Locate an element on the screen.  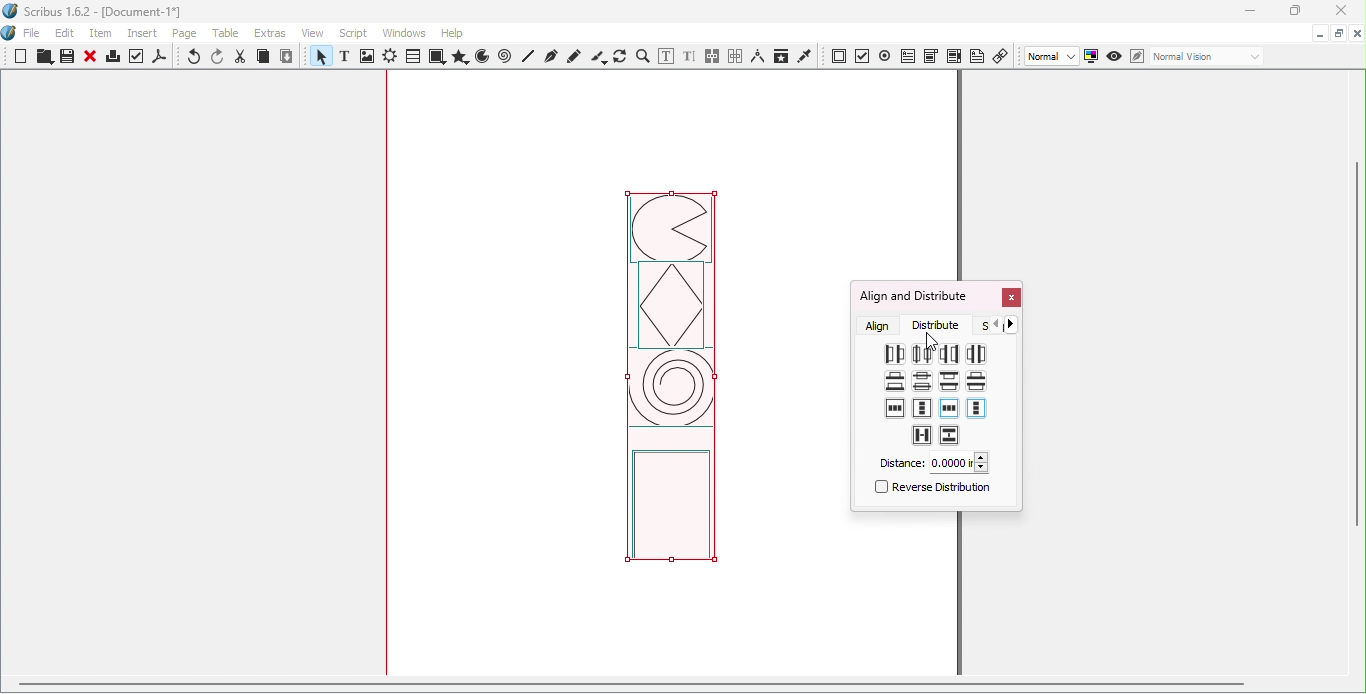
Edit is located at coordinates (65, 33).